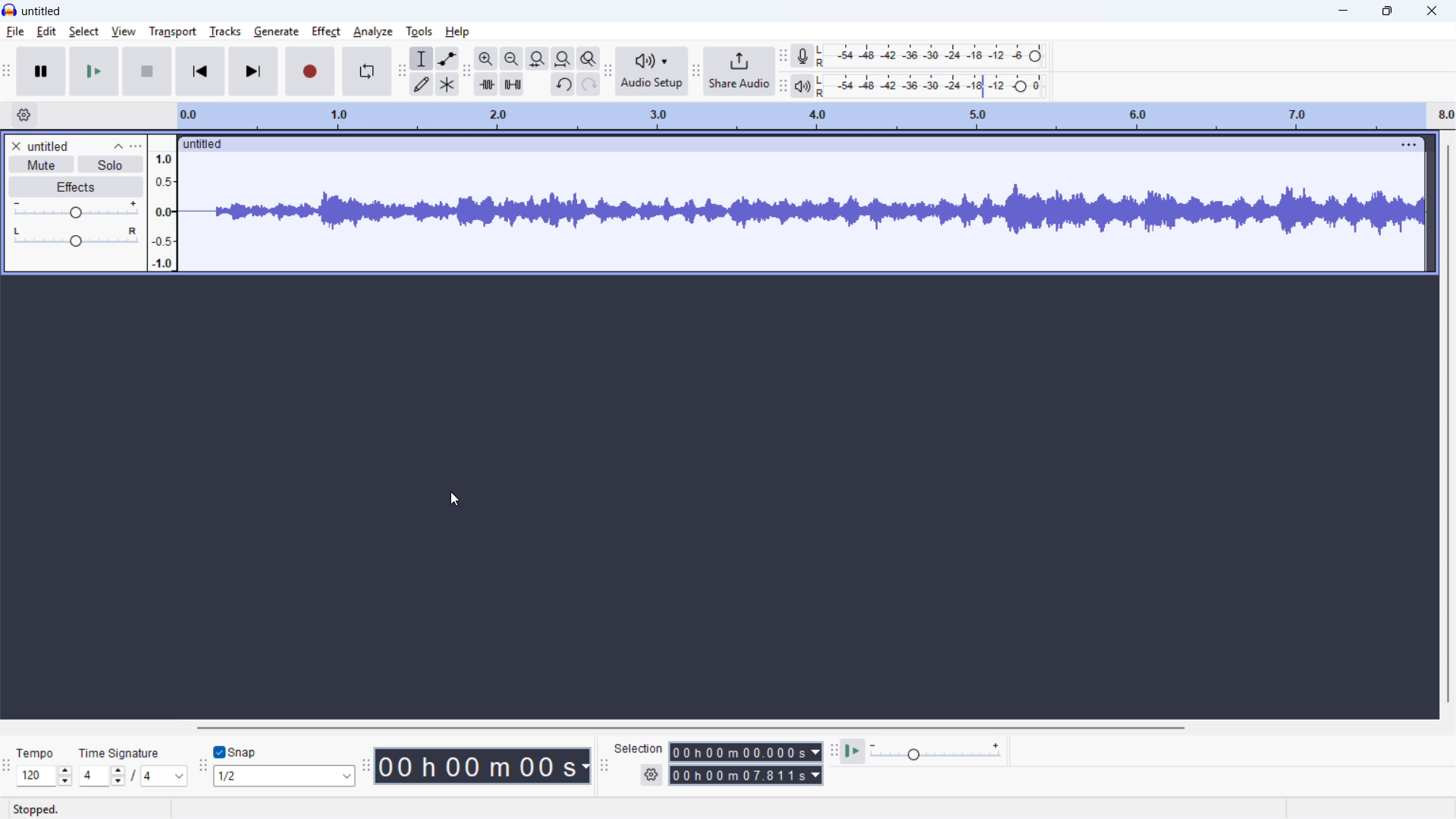 Image resolution: width=1456 pixels, height=819 pixels. I want to click on time signature, so click(120, 752).